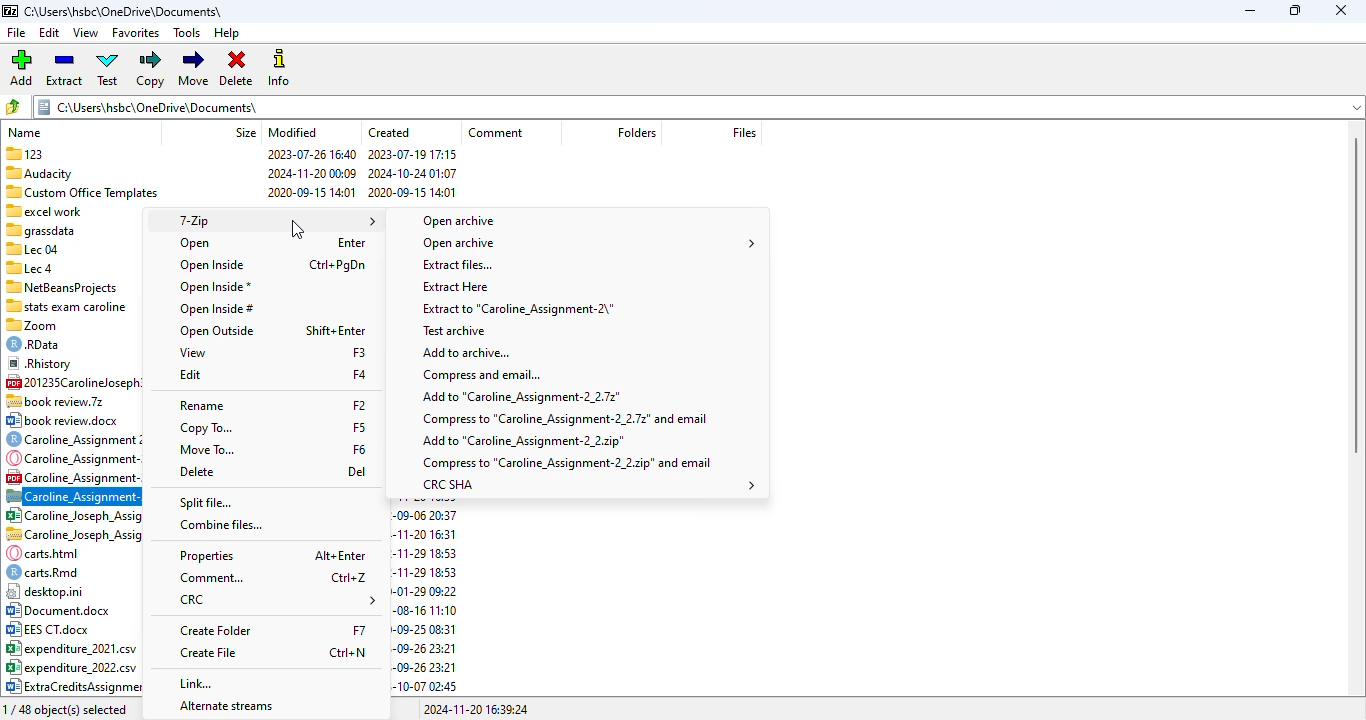 Image resolution: width=1366 pixels, height=720 pixels. What do you see at coordinates (22, 68) in the screenshot?
I see `add` at bounding box center [22, 68].